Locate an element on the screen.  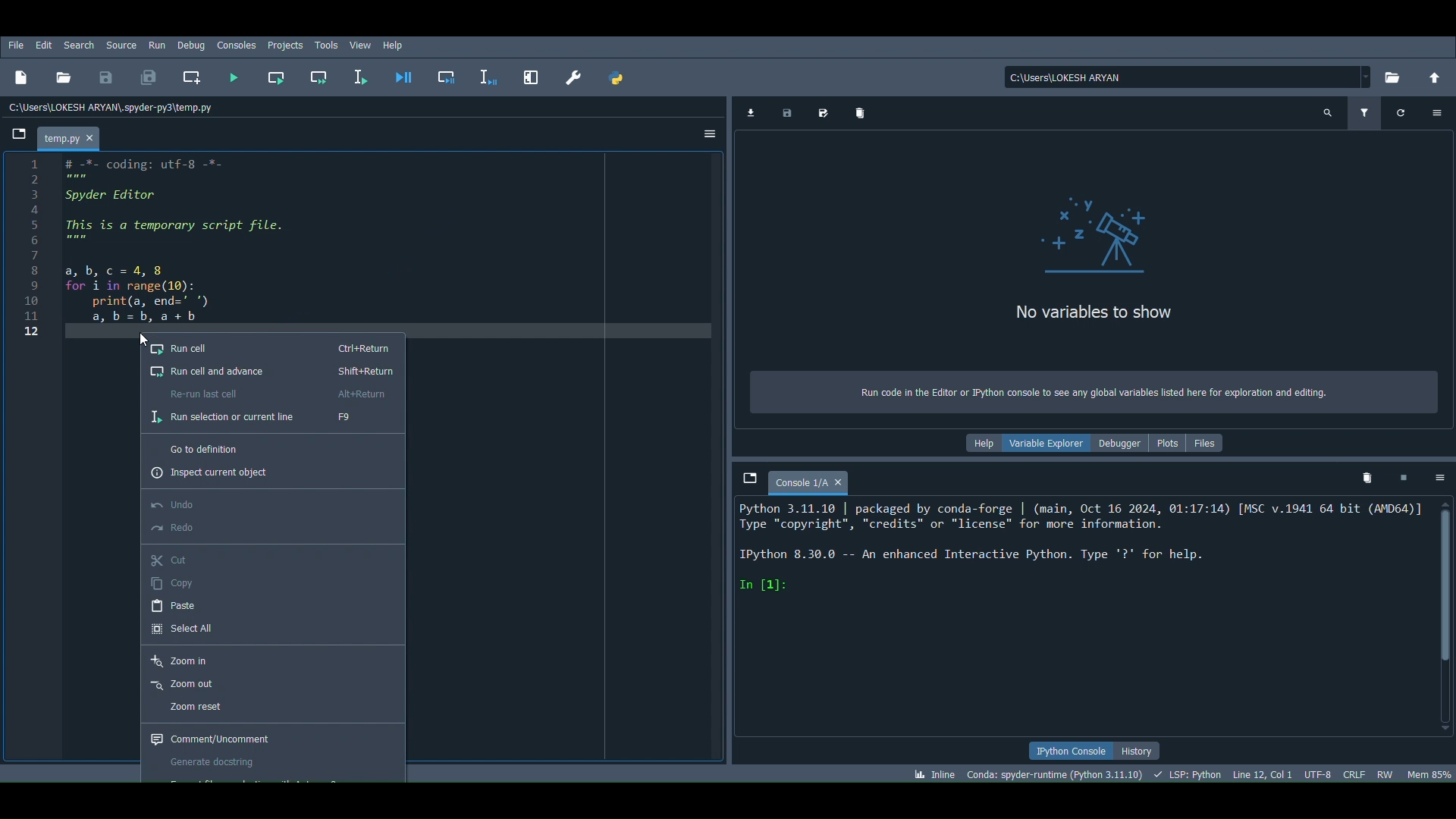
Debugger is located at coordinates (1121, 441).